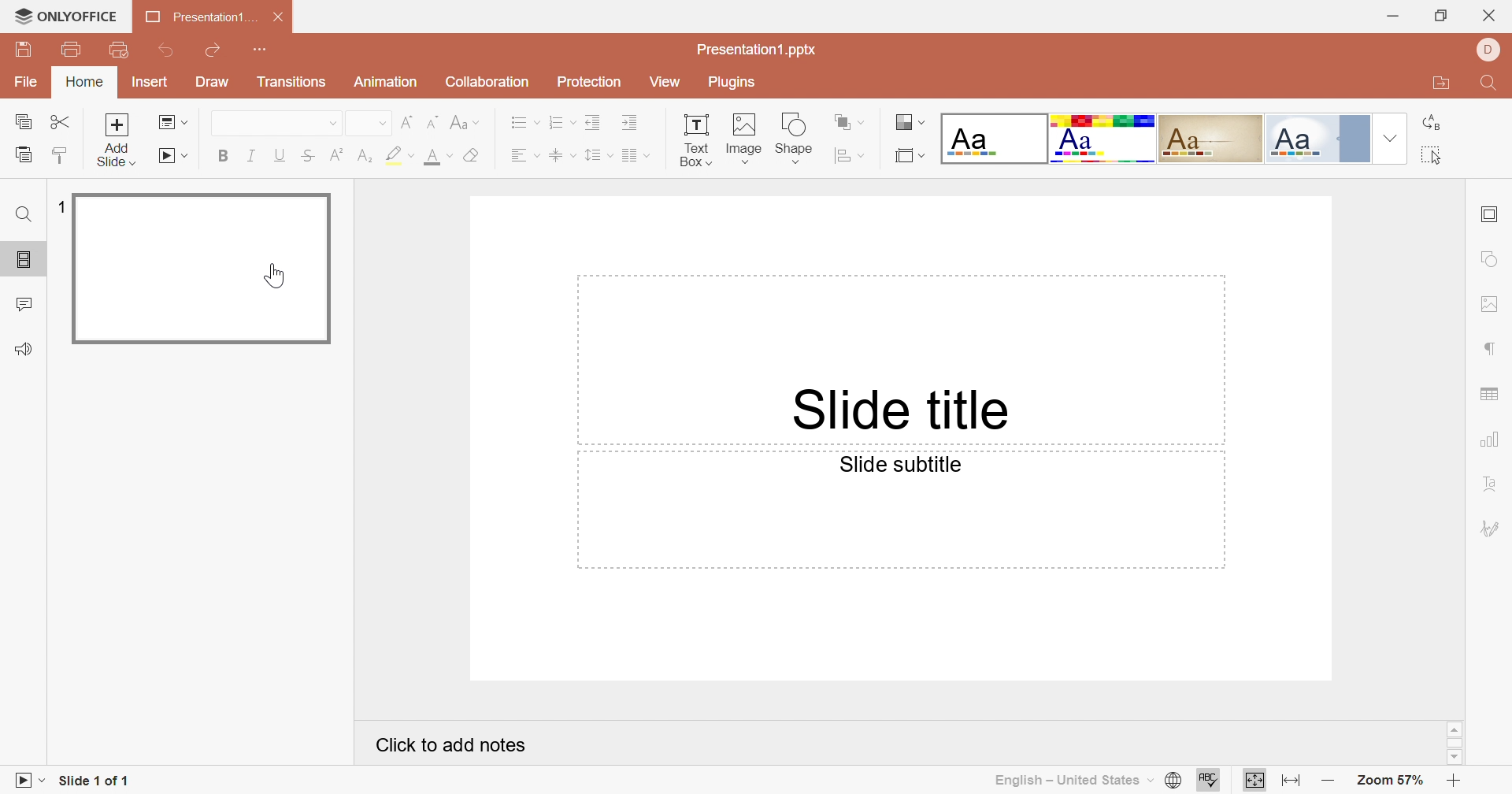  I want to click on Bullets, so click(517, 123).